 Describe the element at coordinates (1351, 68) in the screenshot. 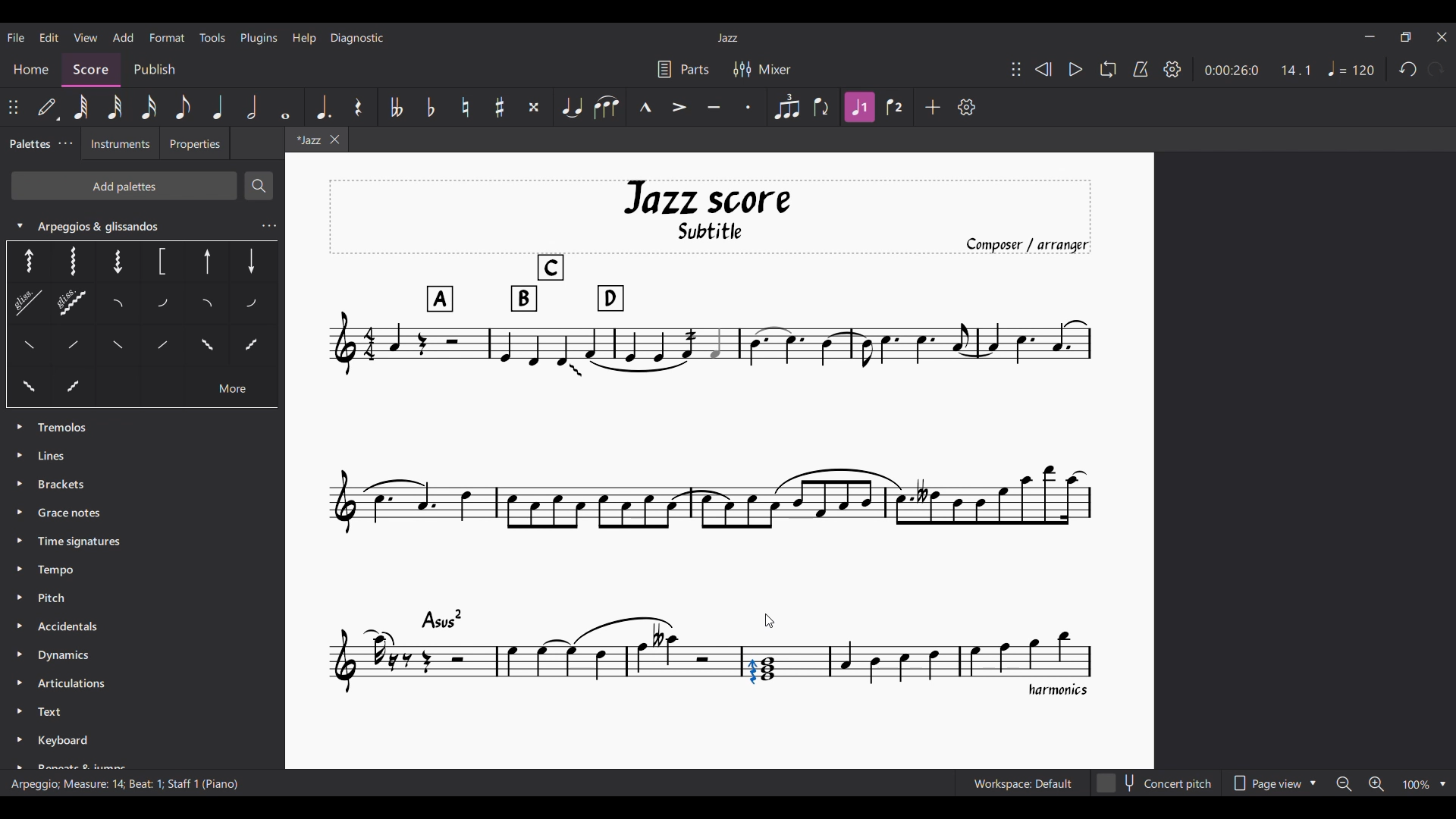

I see `Tempo` at that location.